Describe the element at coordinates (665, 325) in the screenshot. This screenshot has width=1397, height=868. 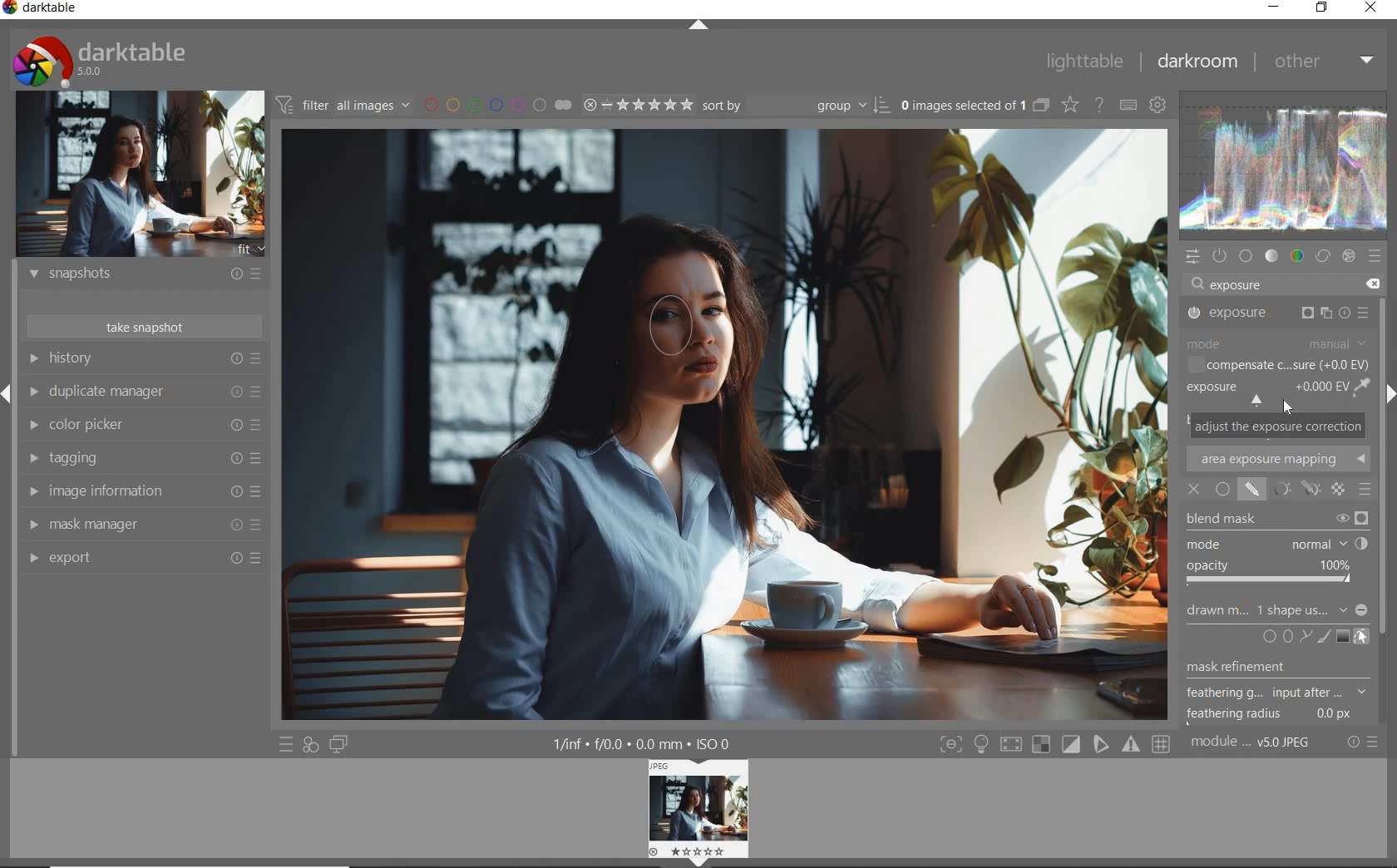
I see `DRAWN MASK` at that location.